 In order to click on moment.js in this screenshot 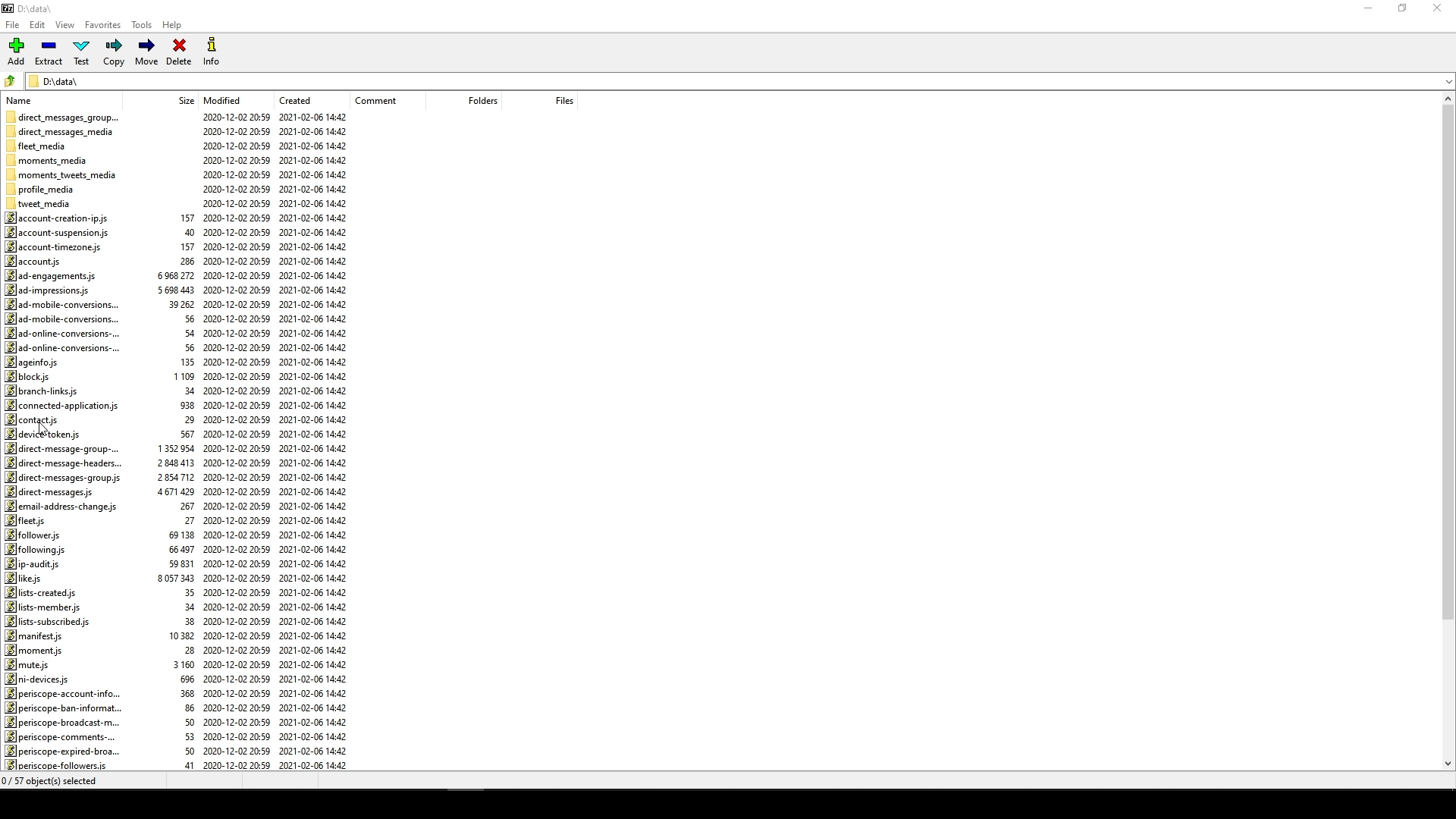, I will do `click(36, 649)`.